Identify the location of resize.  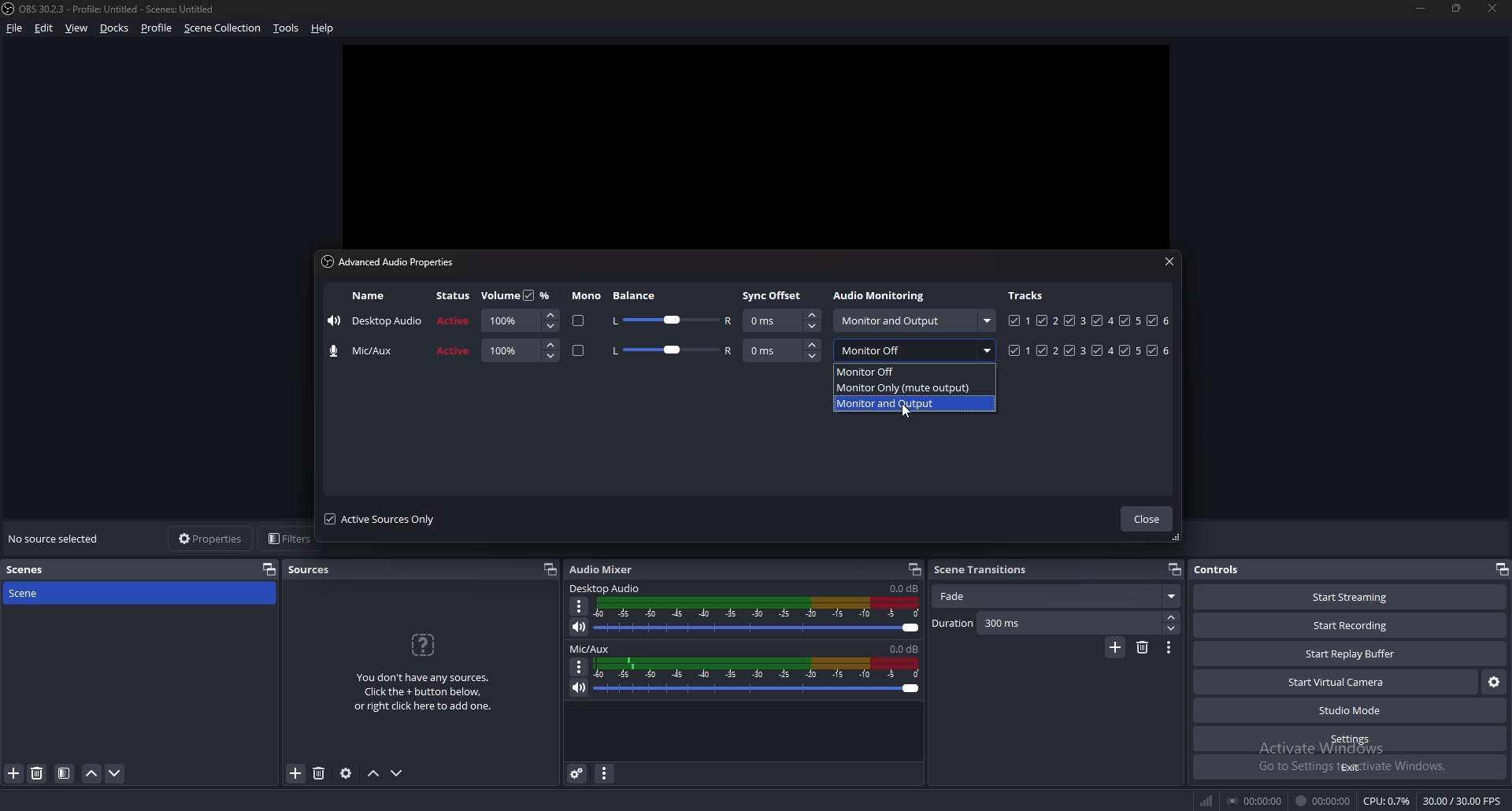
(1457, 8).